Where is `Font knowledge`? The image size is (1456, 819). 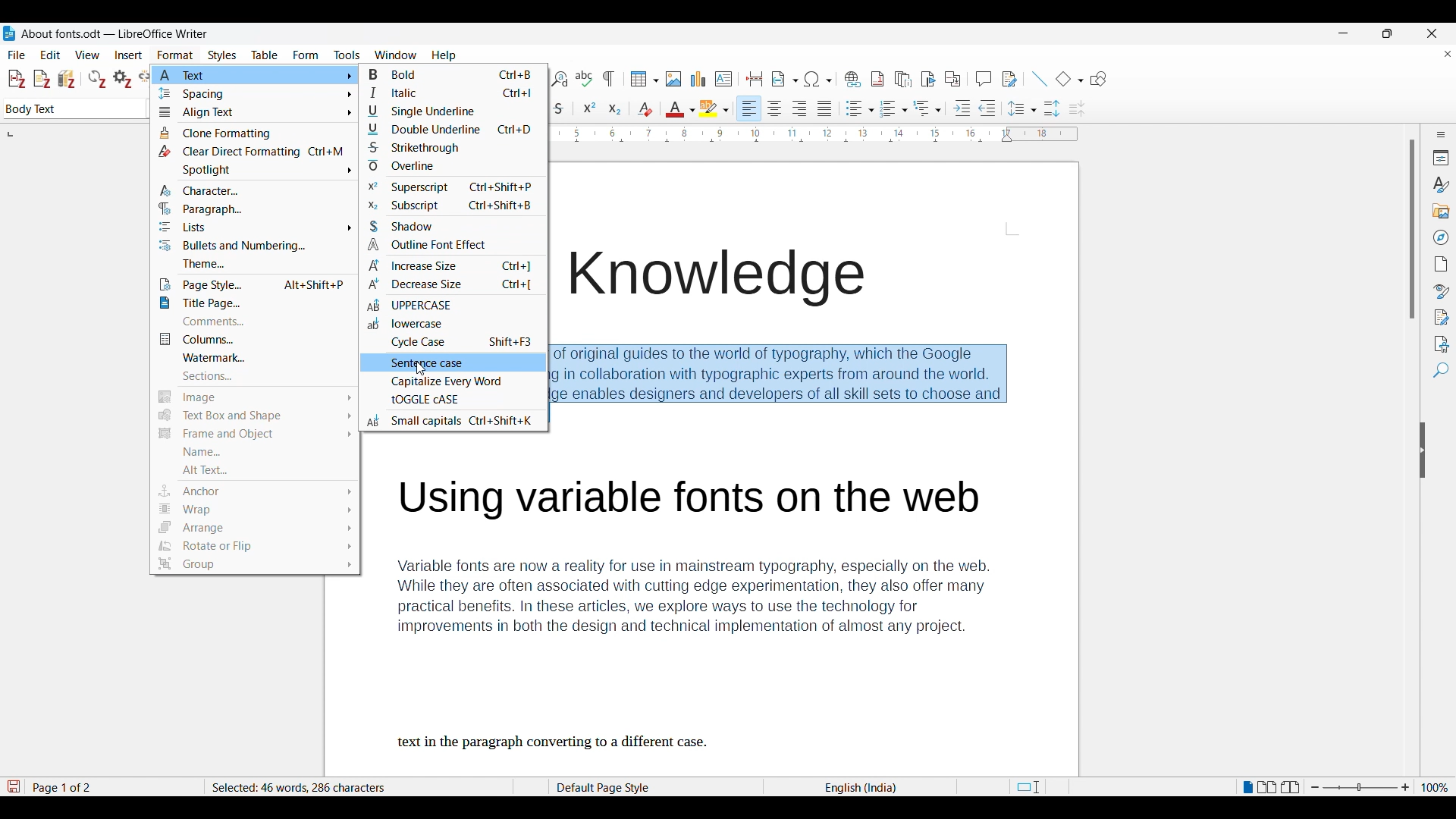
Font knowledge is located at coordinates (733, 279).